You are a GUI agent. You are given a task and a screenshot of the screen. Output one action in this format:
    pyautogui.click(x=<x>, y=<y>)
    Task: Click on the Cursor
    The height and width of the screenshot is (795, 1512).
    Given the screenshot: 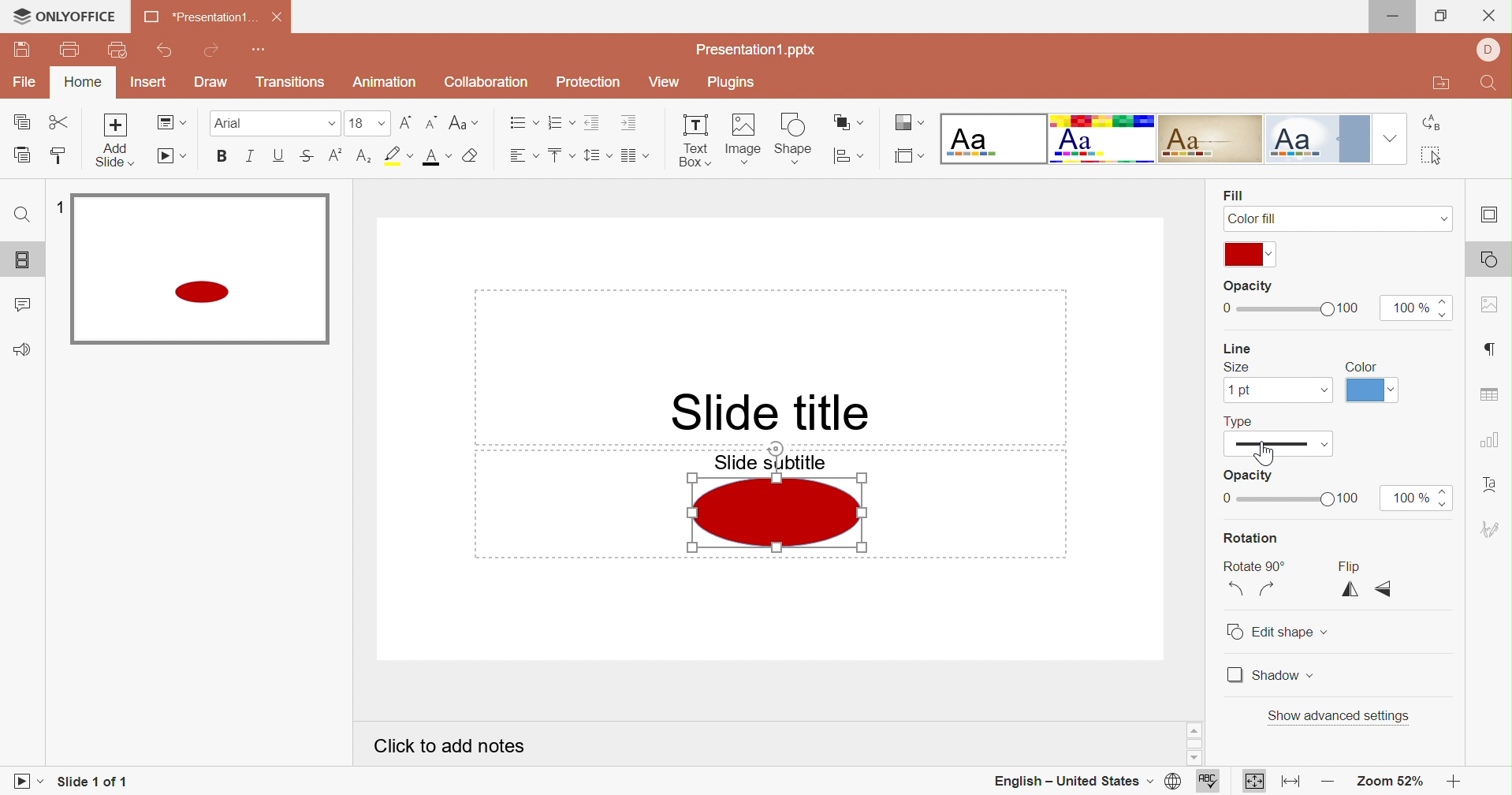 What is the action you would take?
    pyautogui.click(x=1264, y=453)
    